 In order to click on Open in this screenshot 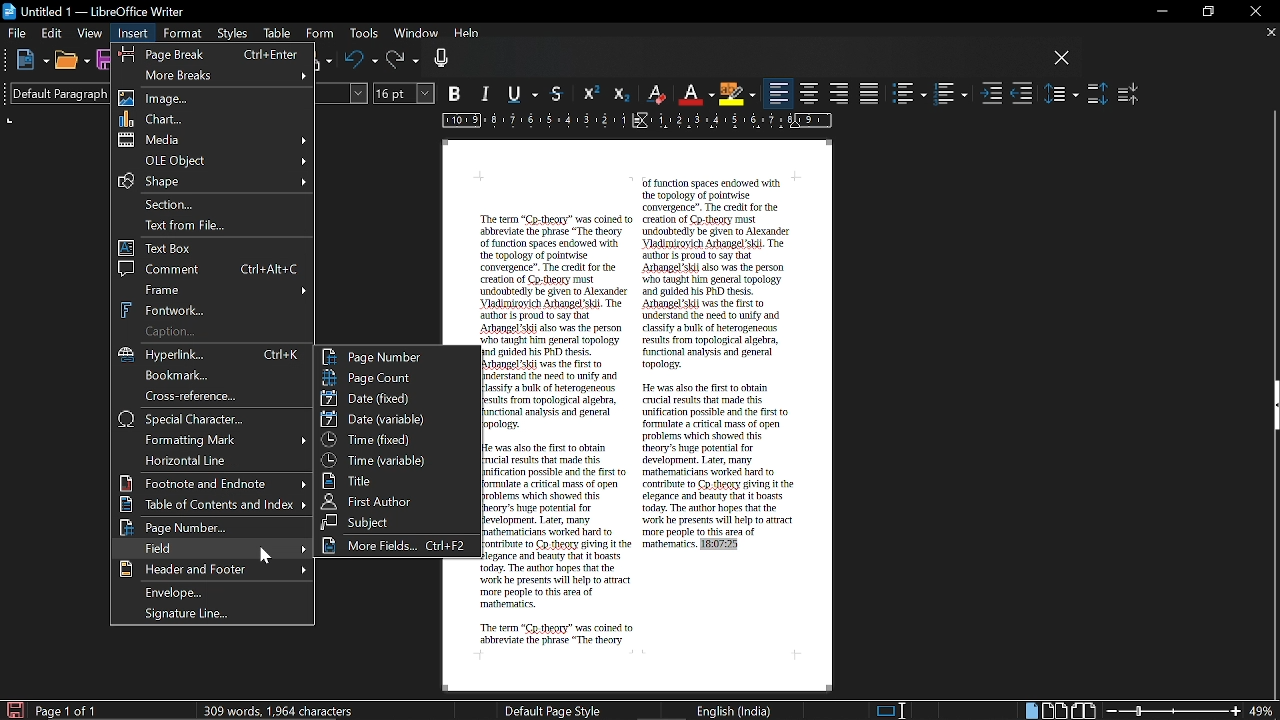, I will do `click(71, 62)`.